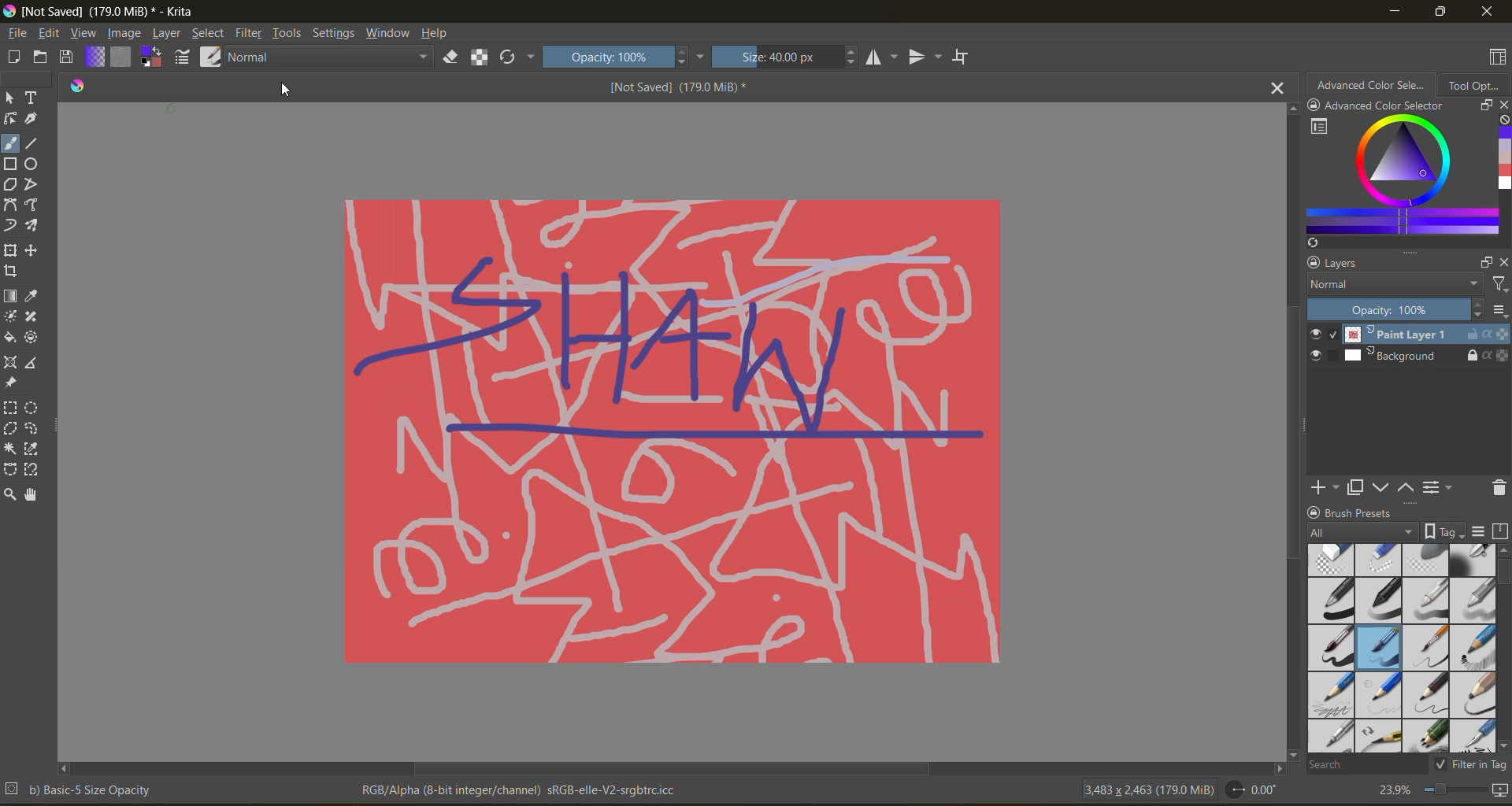  What do you see at coordinates (33, 338) in the screenshot?
I see `enclose and fill tool` at bounding box center [33, 338].